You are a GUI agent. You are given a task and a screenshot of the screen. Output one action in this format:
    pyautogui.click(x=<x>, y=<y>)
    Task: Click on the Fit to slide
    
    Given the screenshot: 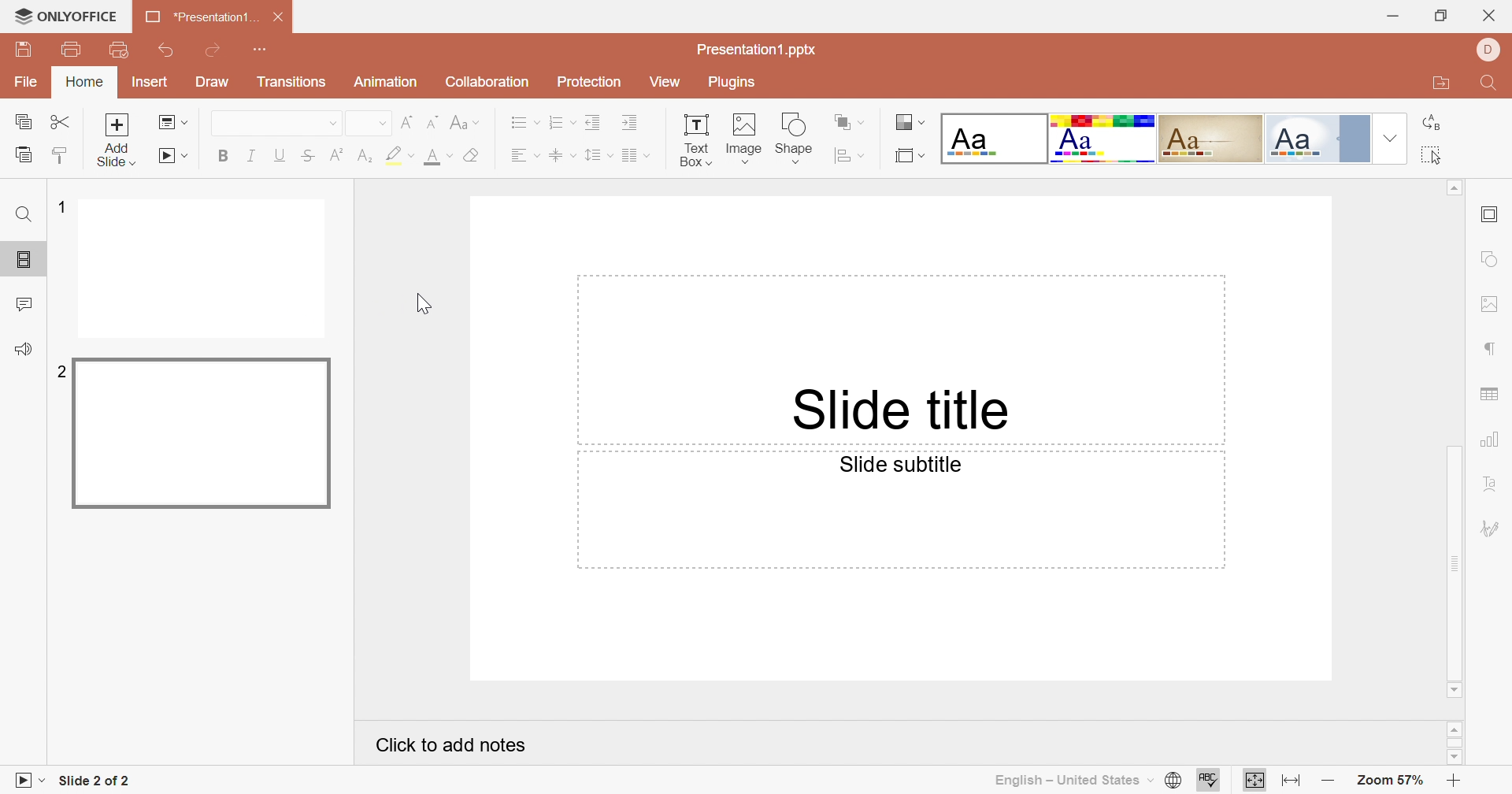 What is the action you would take?
    pyautogui.click(x=1257, y=781)
    